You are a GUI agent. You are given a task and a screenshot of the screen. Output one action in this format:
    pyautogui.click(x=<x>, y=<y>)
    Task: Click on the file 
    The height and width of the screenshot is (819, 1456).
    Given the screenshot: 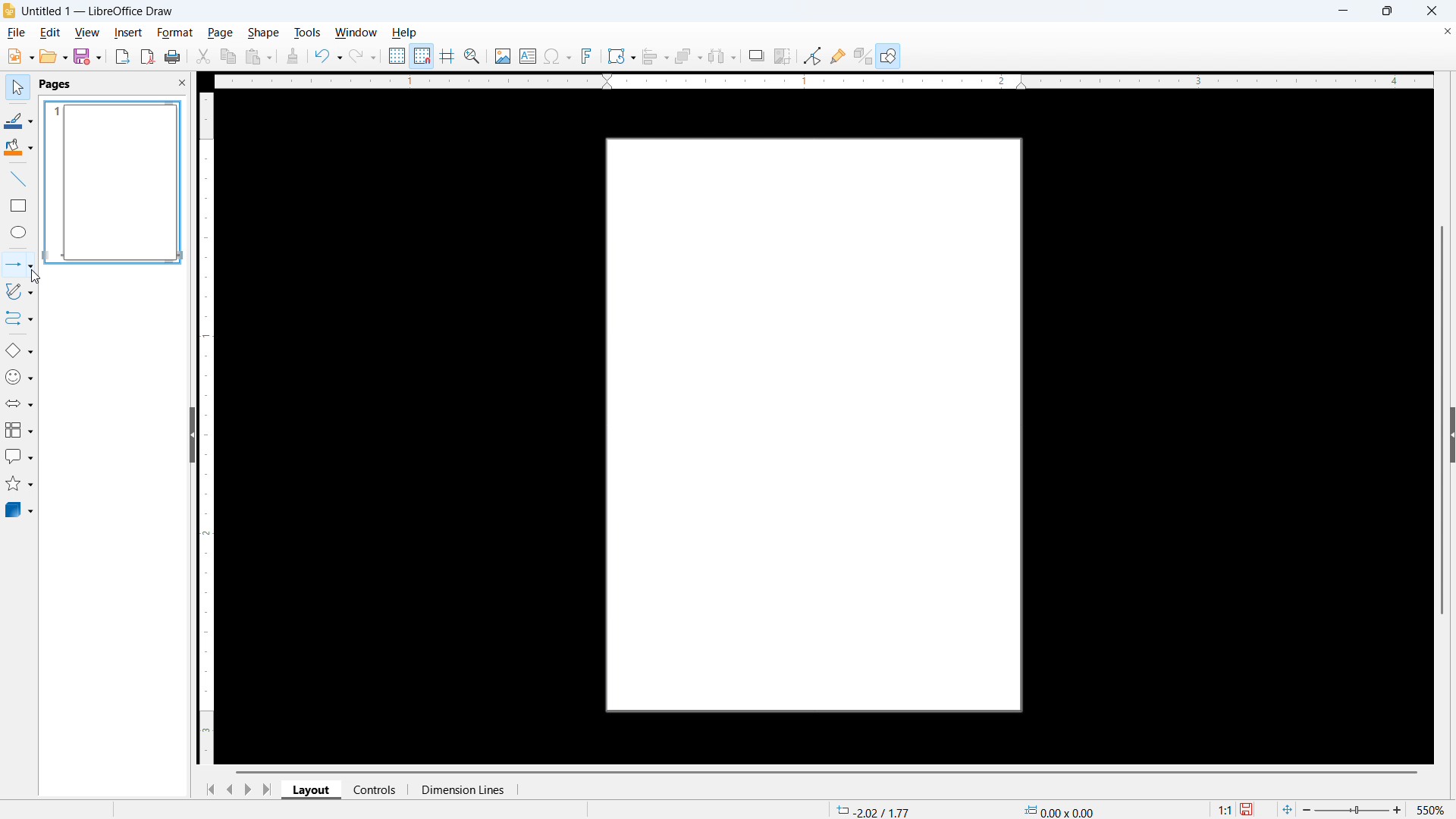 What is the action you would take?
    pyautogui.click(x=16, y=33)
    